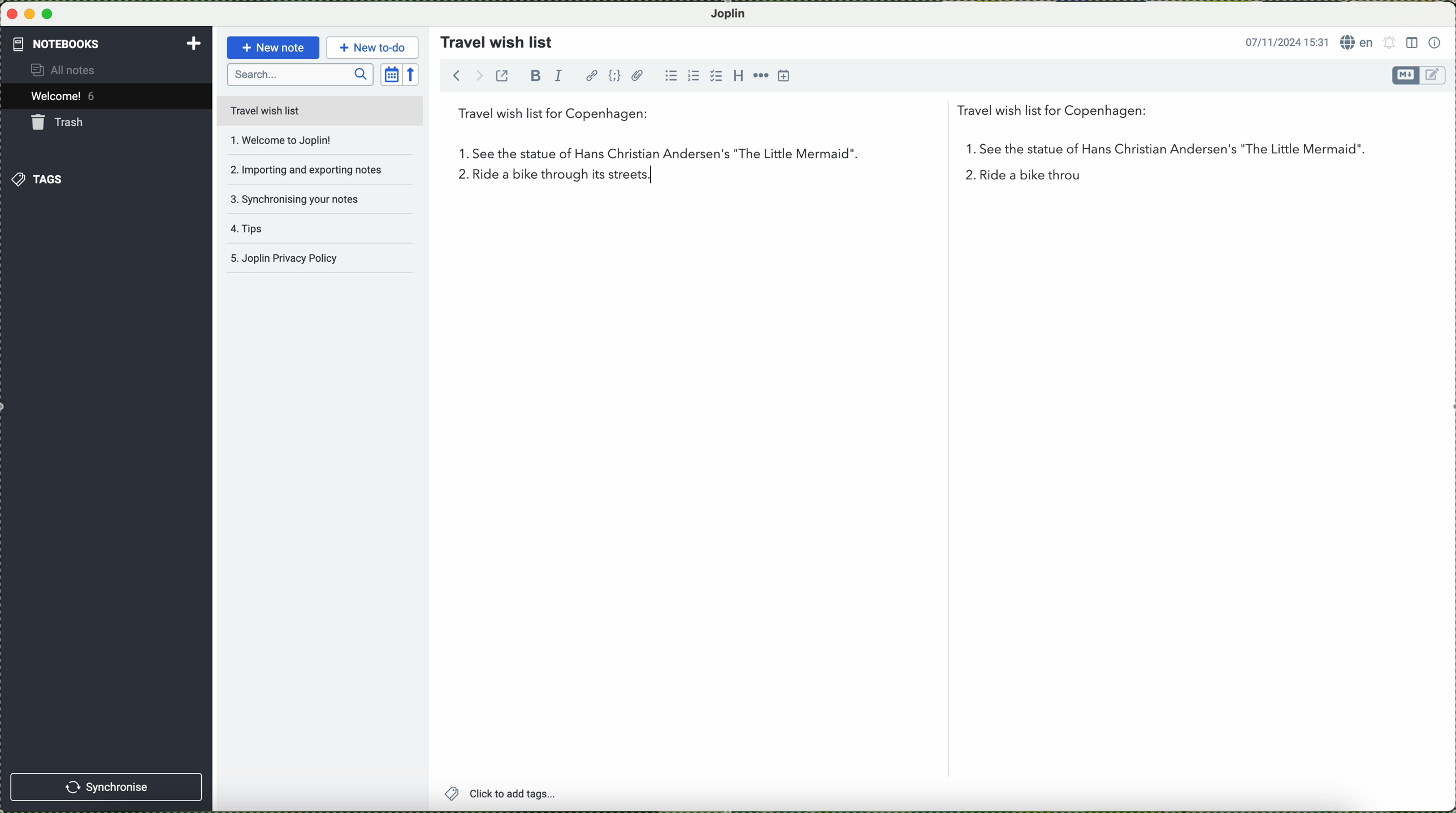 Image resolution: width=1456 pixels, height=813 pixels. I want to click on first point, so click(899, 153).